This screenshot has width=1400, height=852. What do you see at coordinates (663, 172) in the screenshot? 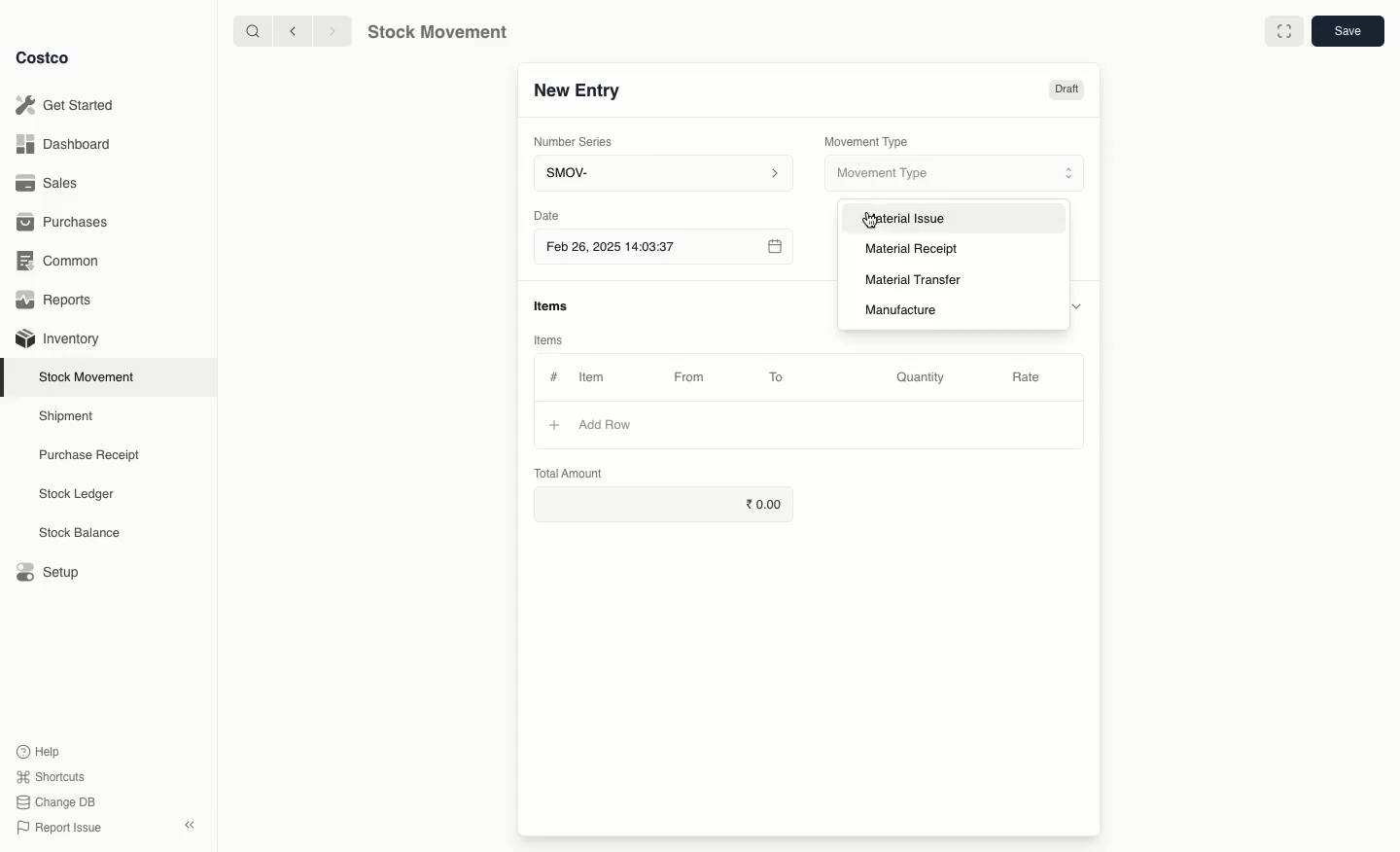
I see `SMOV-` at bounding box center [663, 172].